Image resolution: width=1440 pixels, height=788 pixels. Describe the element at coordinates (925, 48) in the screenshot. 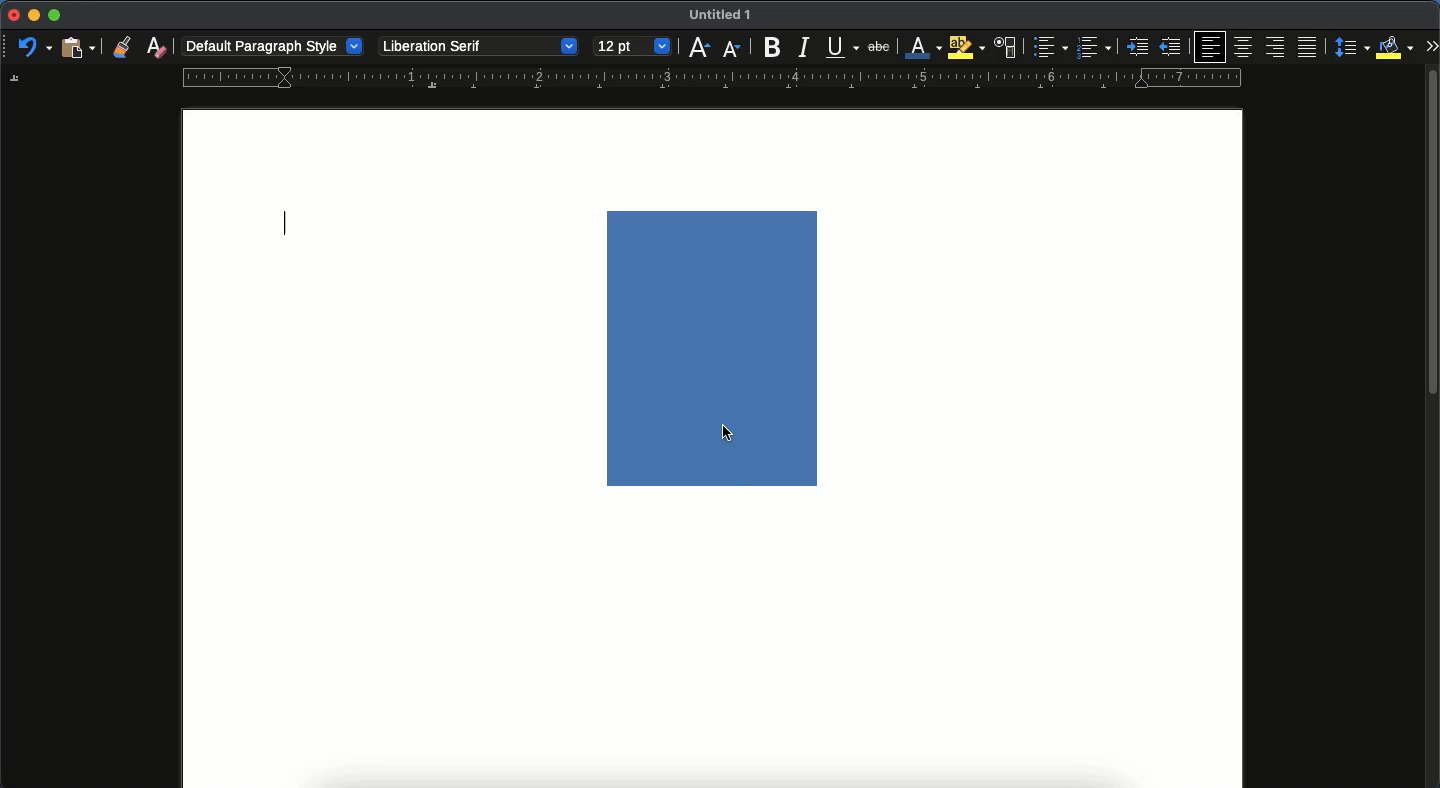

I see `font color` at that location.